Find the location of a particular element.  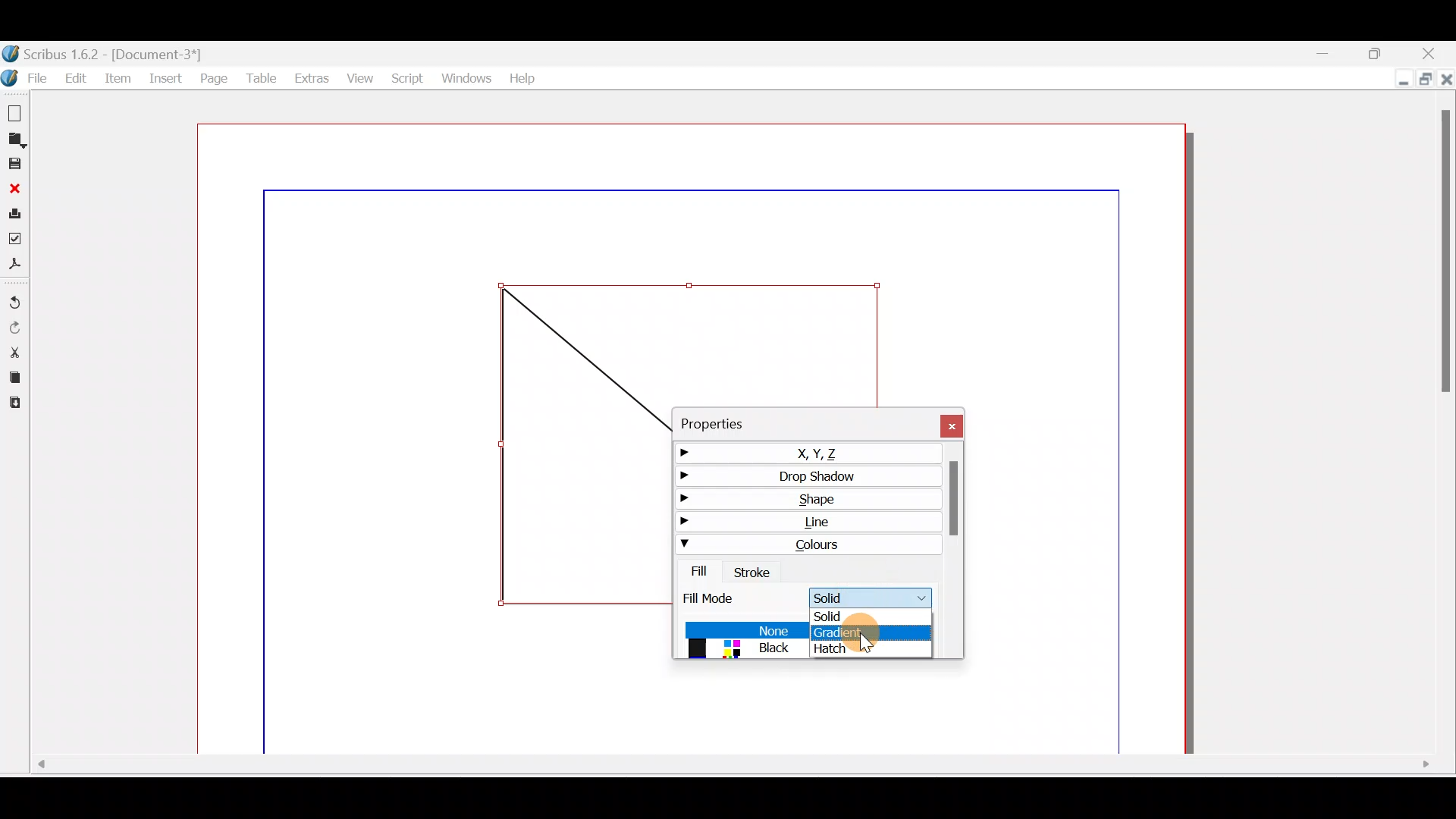

Stroke mode is located at coordinates (722, 598).